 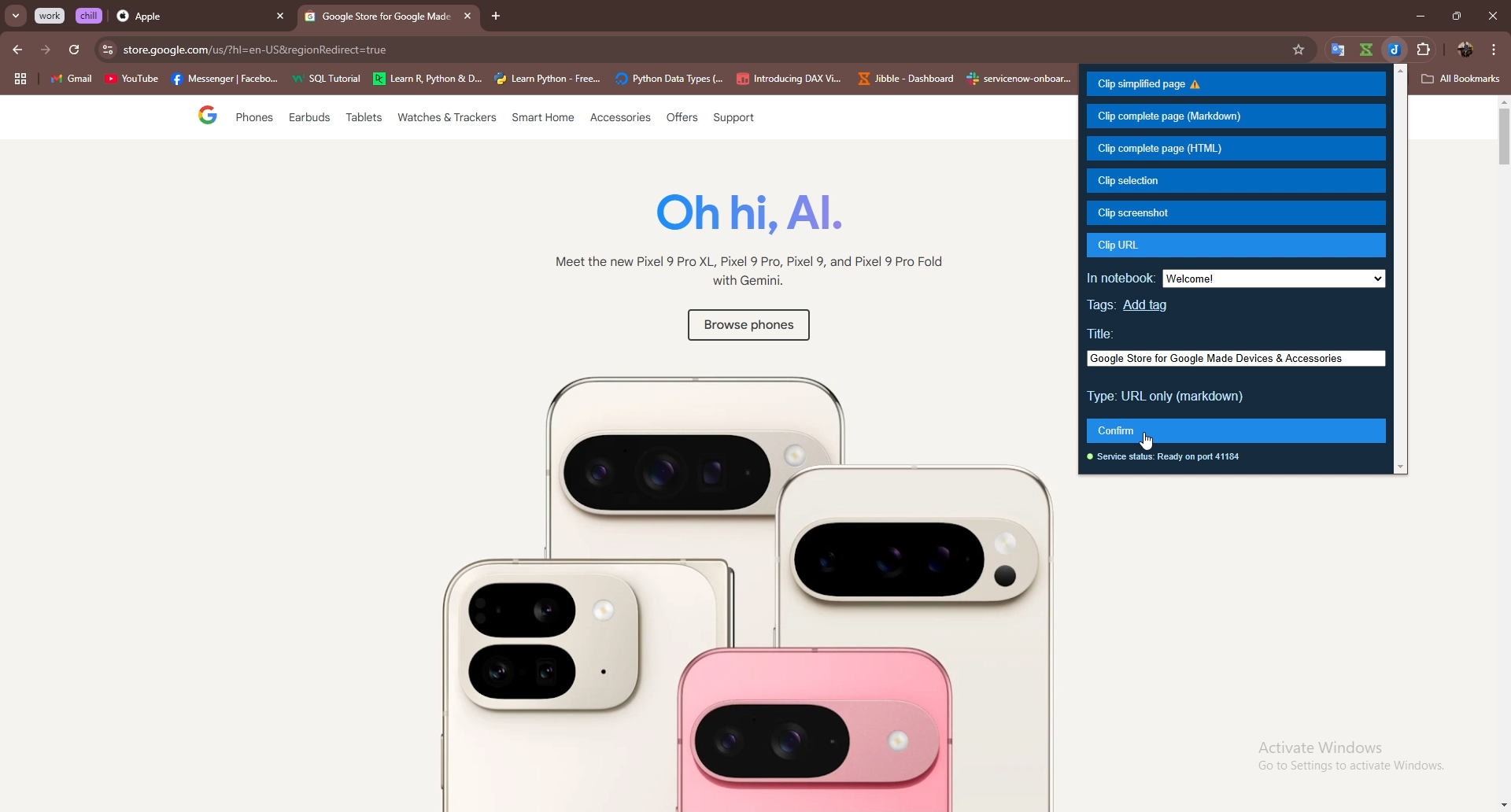 What do you see at coordinates (1236, 149) in the screenshot?
I see `clip complete page (html)` at bounding box center [1236, 149].